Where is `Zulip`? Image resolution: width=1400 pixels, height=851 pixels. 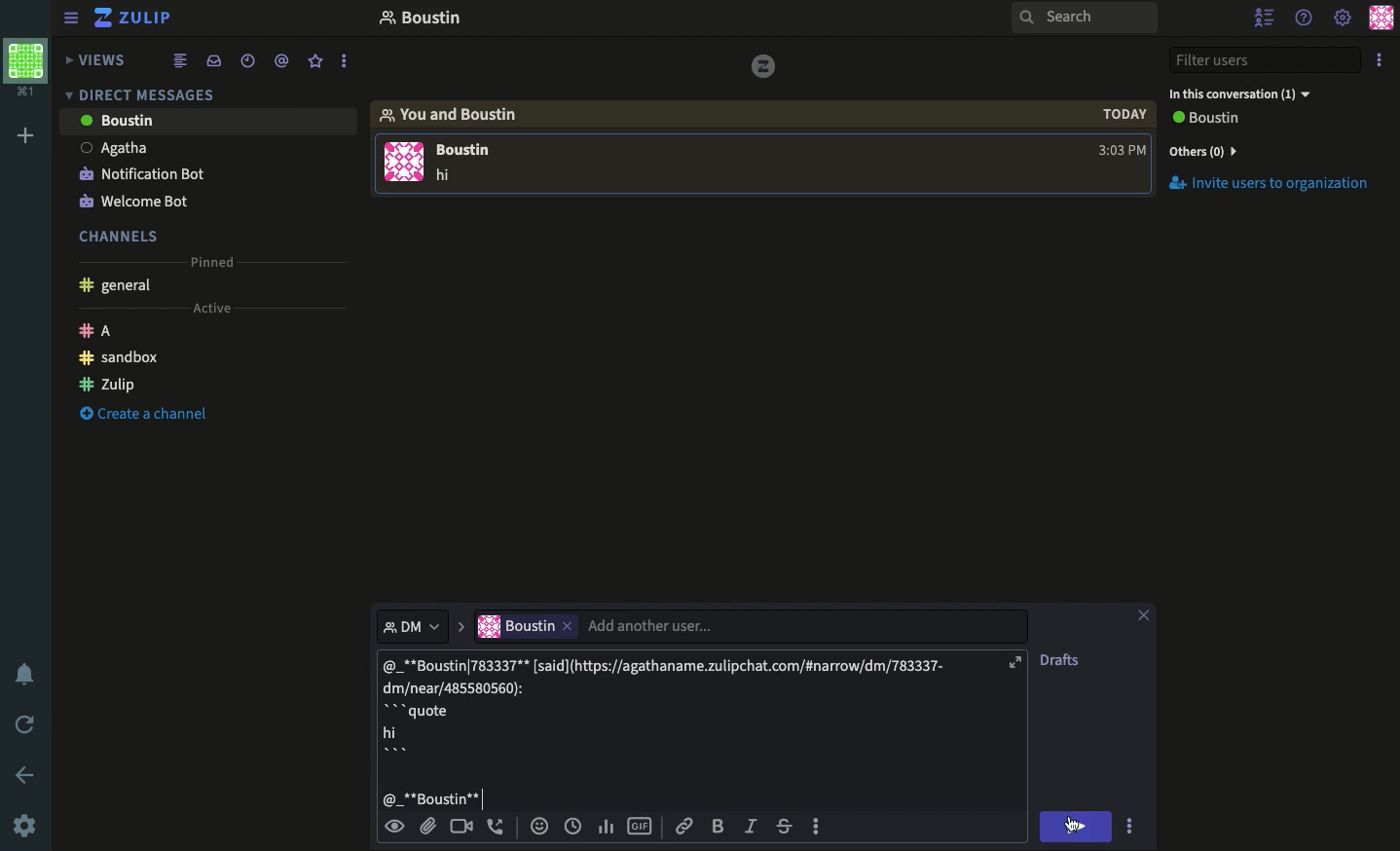
Zulip is located at coordinates (109, 383).